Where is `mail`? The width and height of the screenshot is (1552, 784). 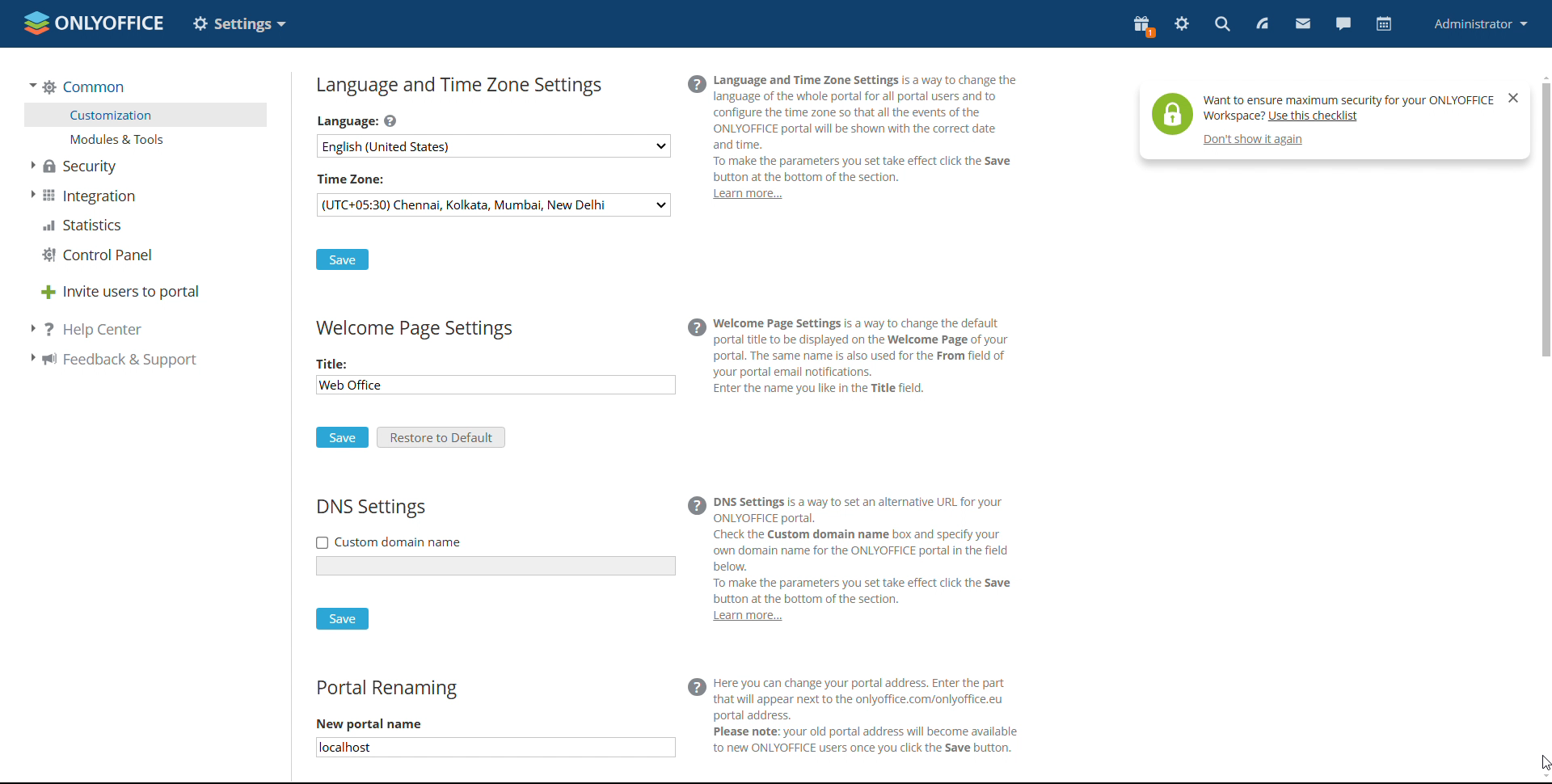
mail is located at coordinates (1303, 23).